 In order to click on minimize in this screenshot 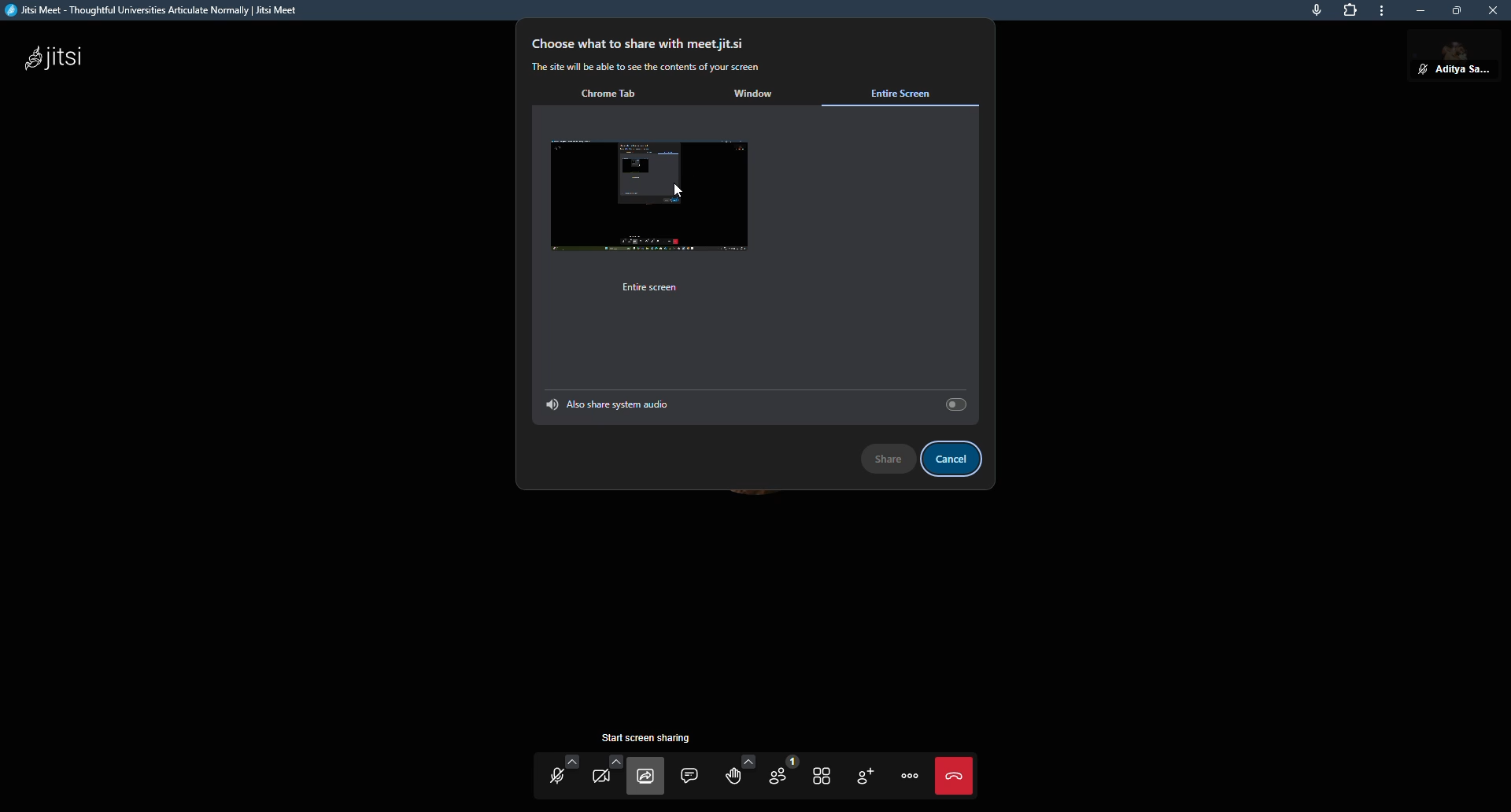, I will do `click(1415, 10)`.